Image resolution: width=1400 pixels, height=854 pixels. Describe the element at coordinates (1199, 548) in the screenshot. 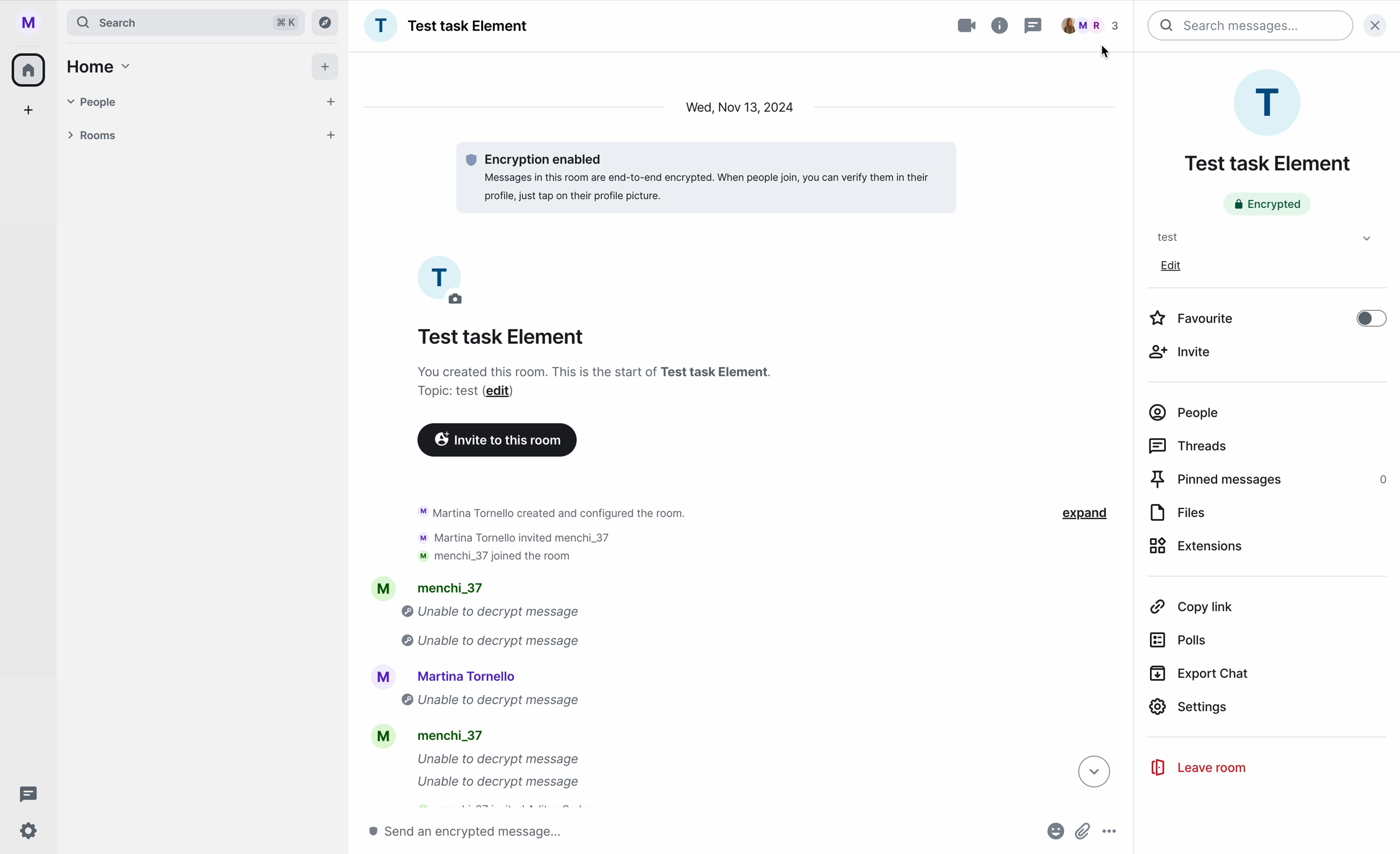

I see `extensions` at that location.